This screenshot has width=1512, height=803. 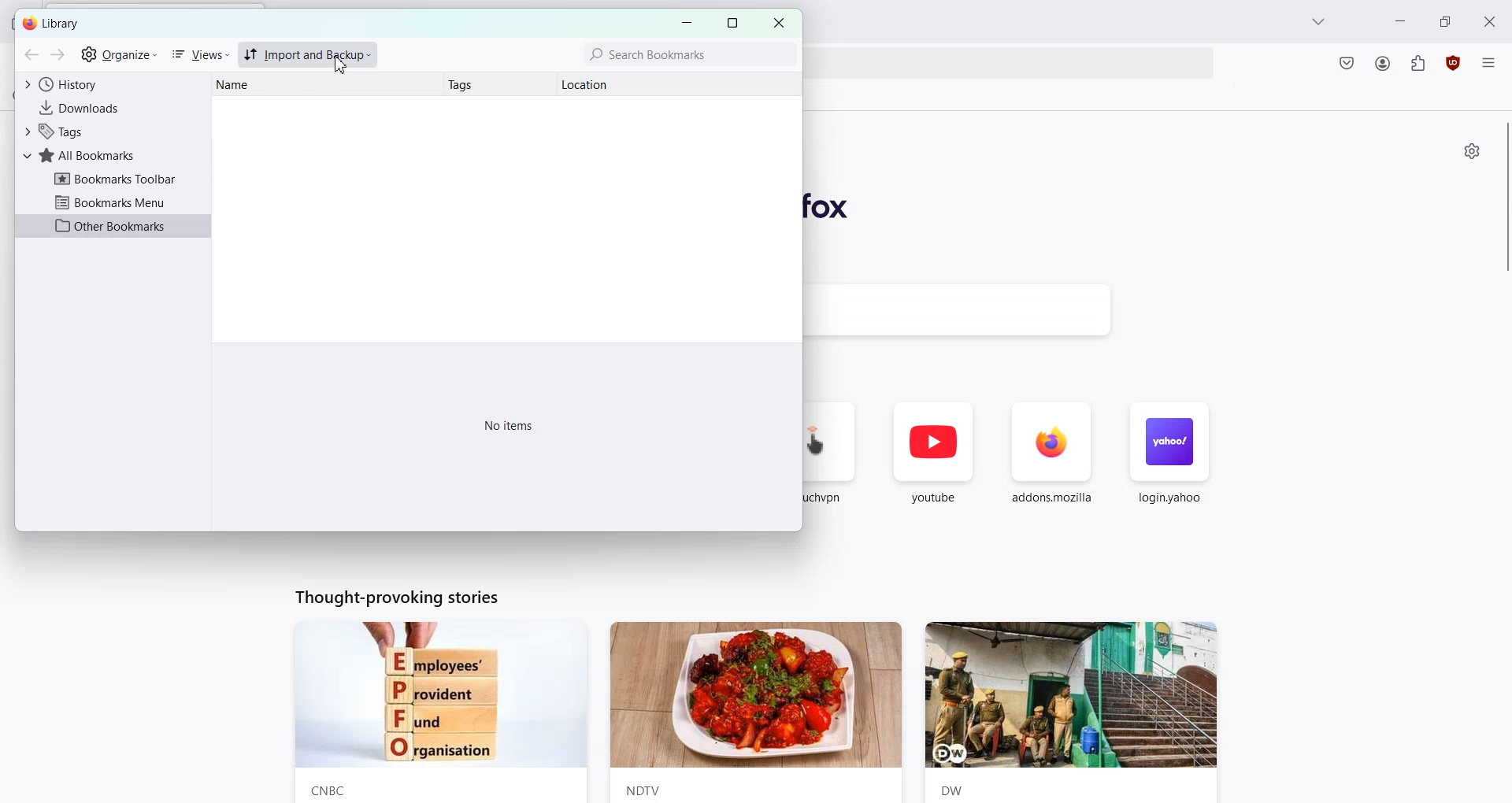 What do you see at coordinates (110, 109) in the screenshot?
I see `Downloads` at bounding box center [110, 109].